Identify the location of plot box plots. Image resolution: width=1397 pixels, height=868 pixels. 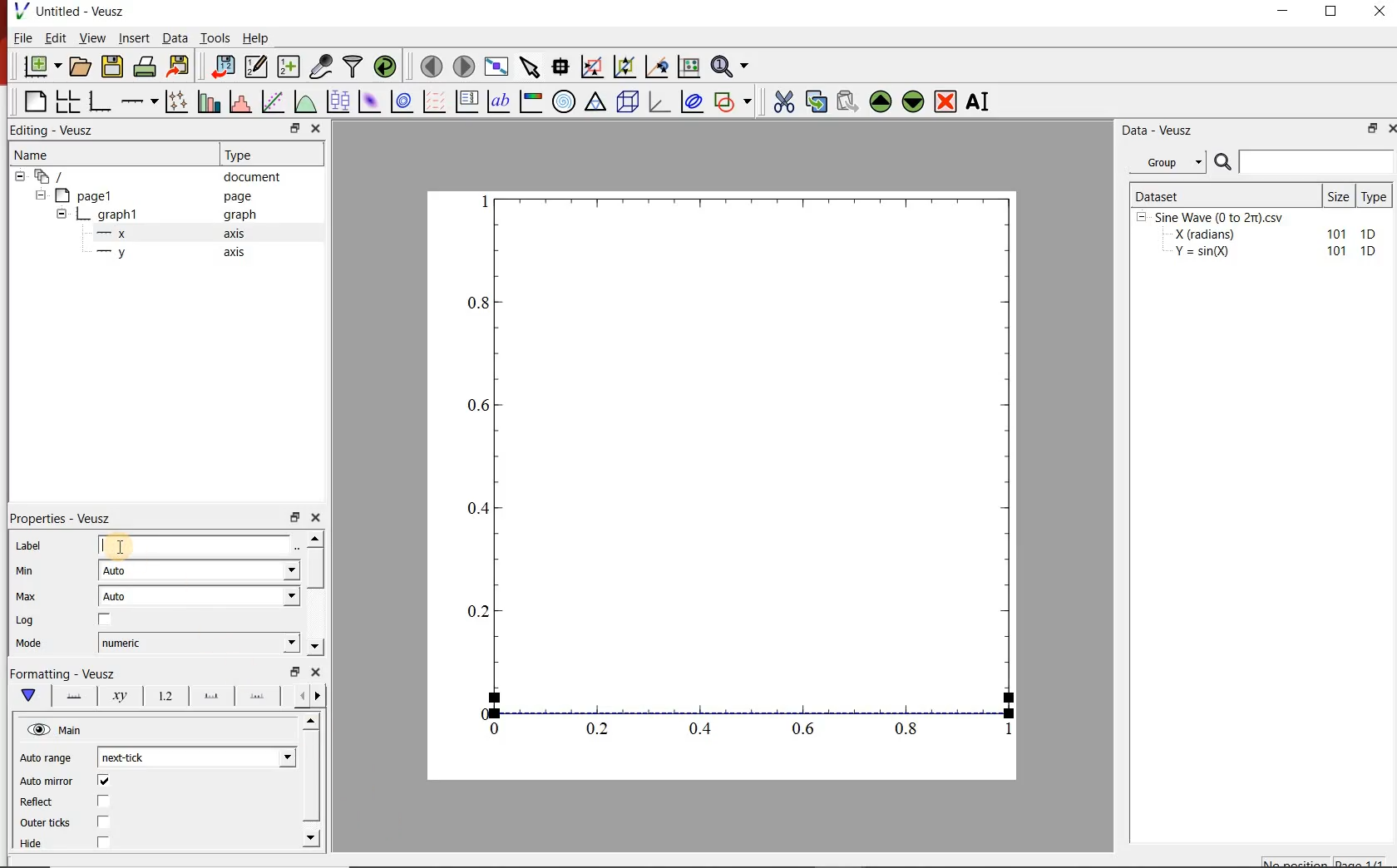
(339, 102).